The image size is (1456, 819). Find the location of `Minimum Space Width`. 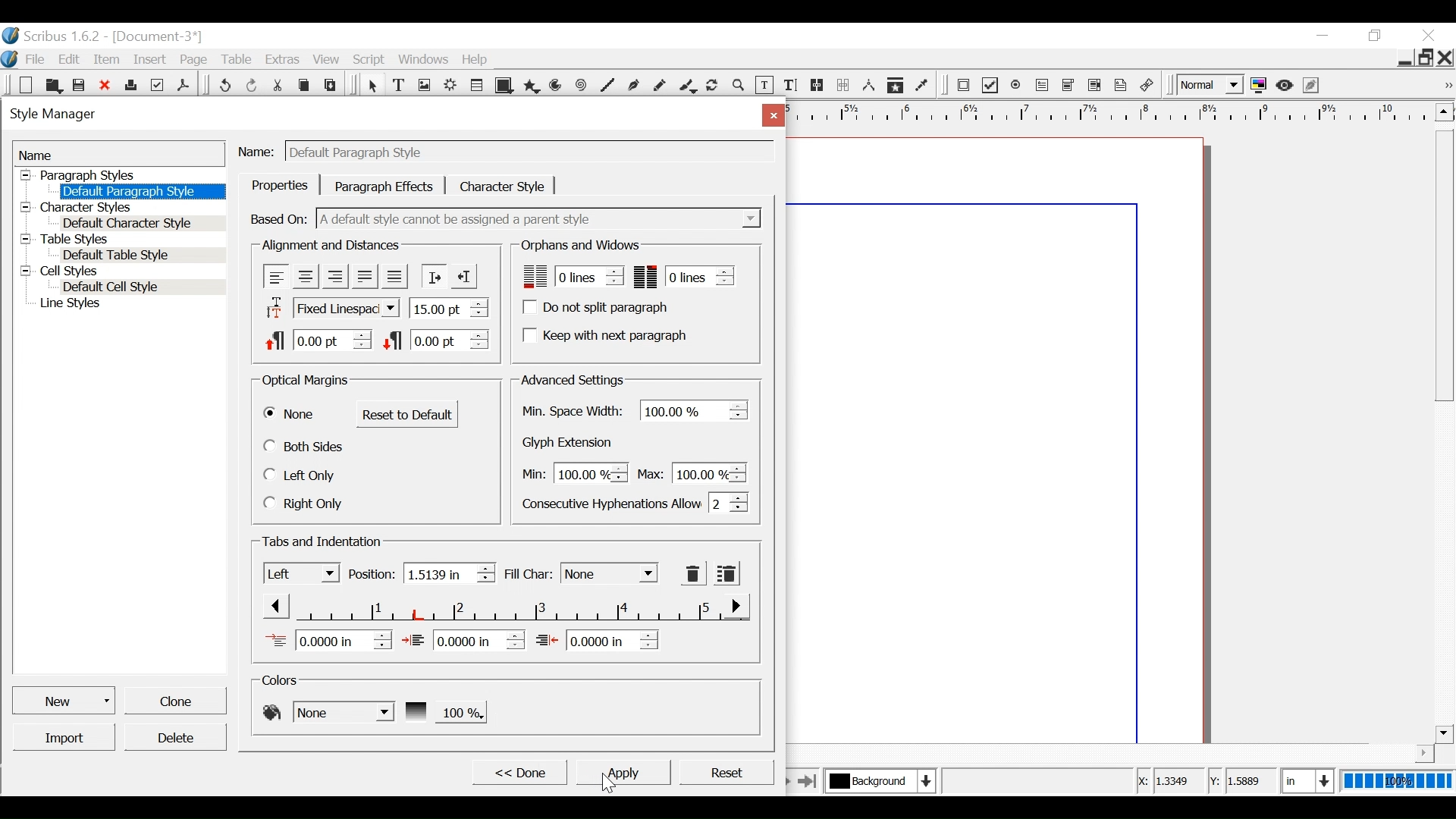

Minimum Space Width is located at coordinates (575, 412).